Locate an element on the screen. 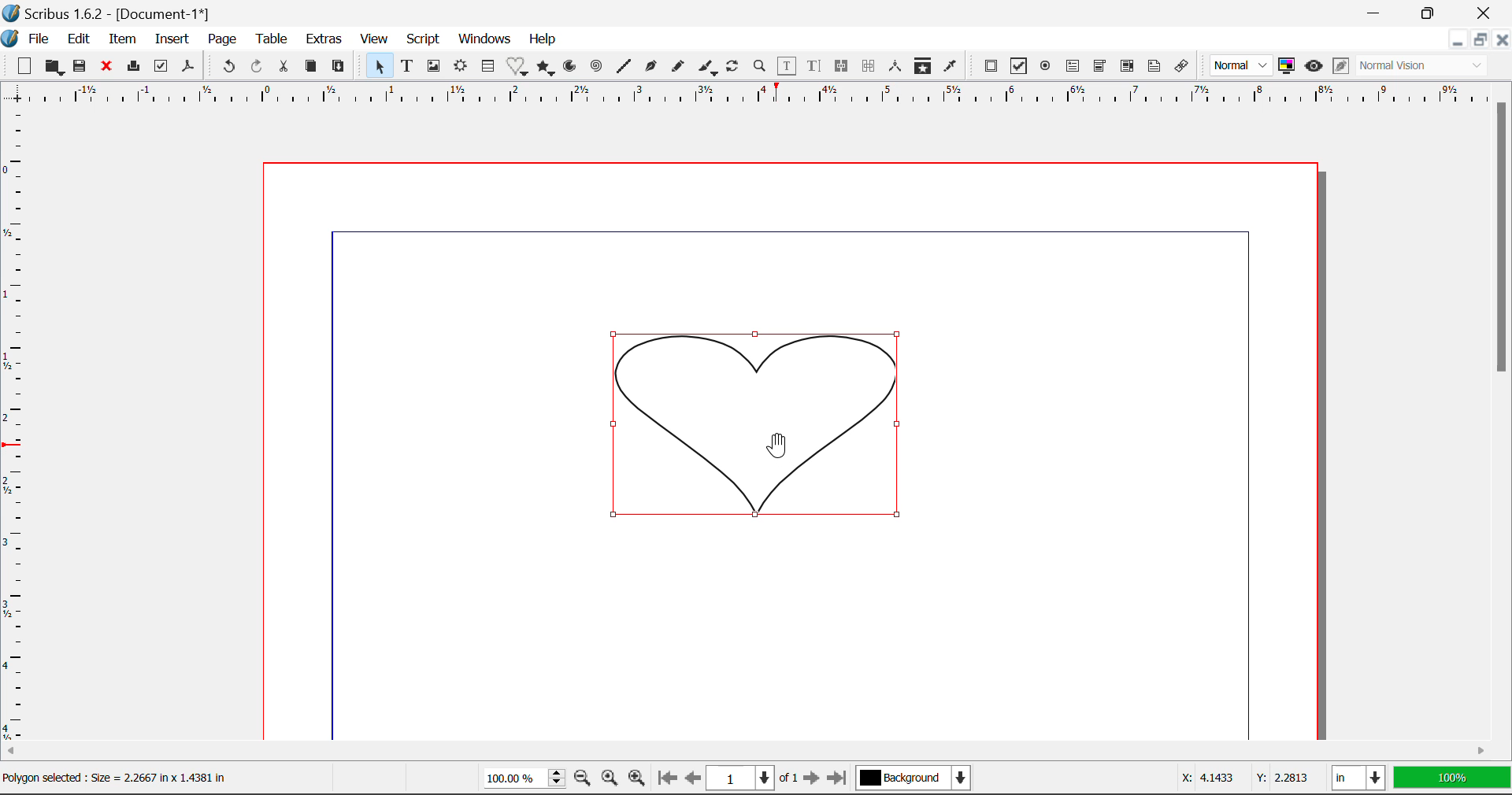 The width and height of the screenshot is (1512, 795). Save as Pdf is located at coordinates (187, 68).